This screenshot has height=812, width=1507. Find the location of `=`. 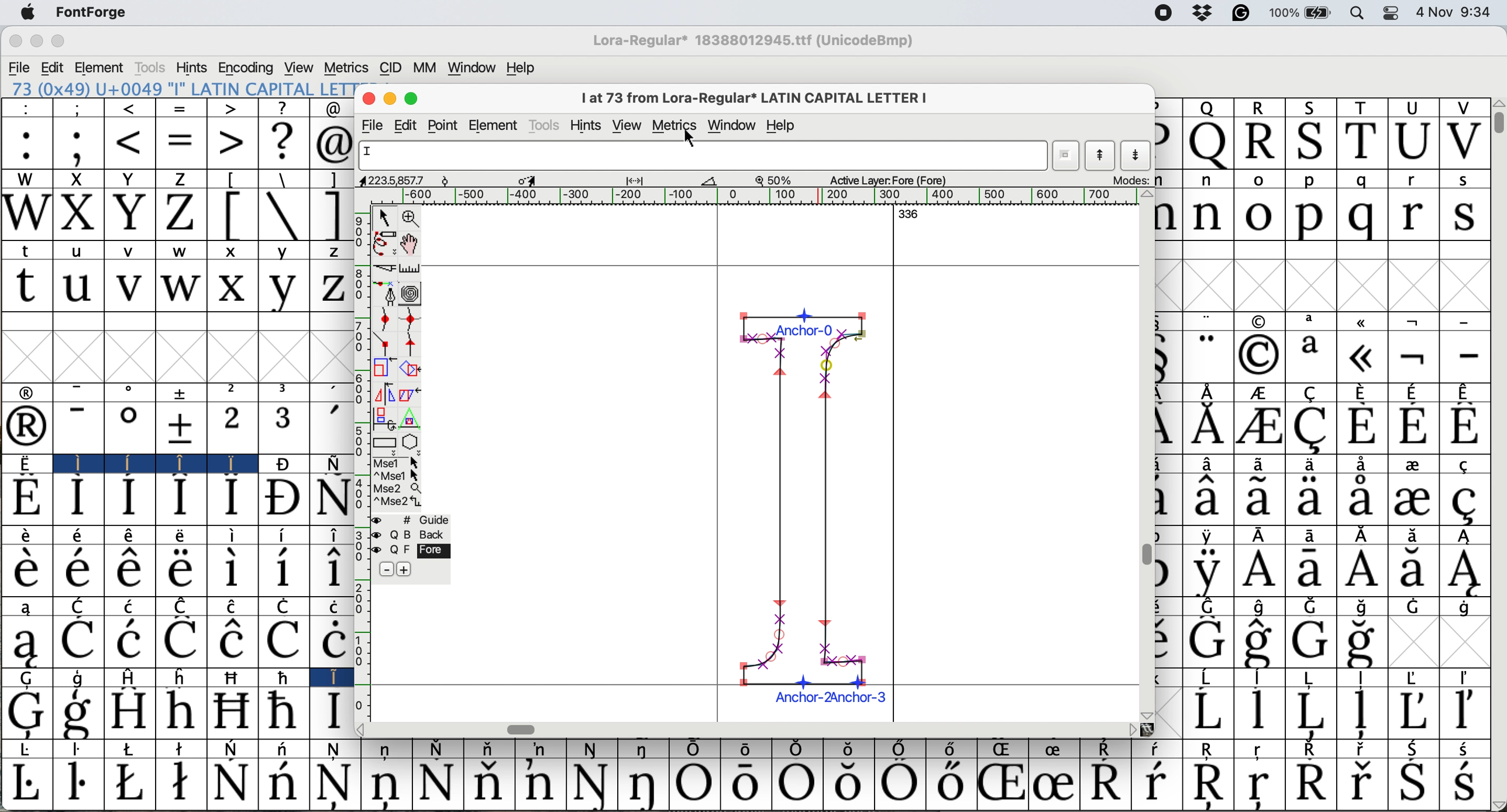

= is located at coordinates (181, 145).